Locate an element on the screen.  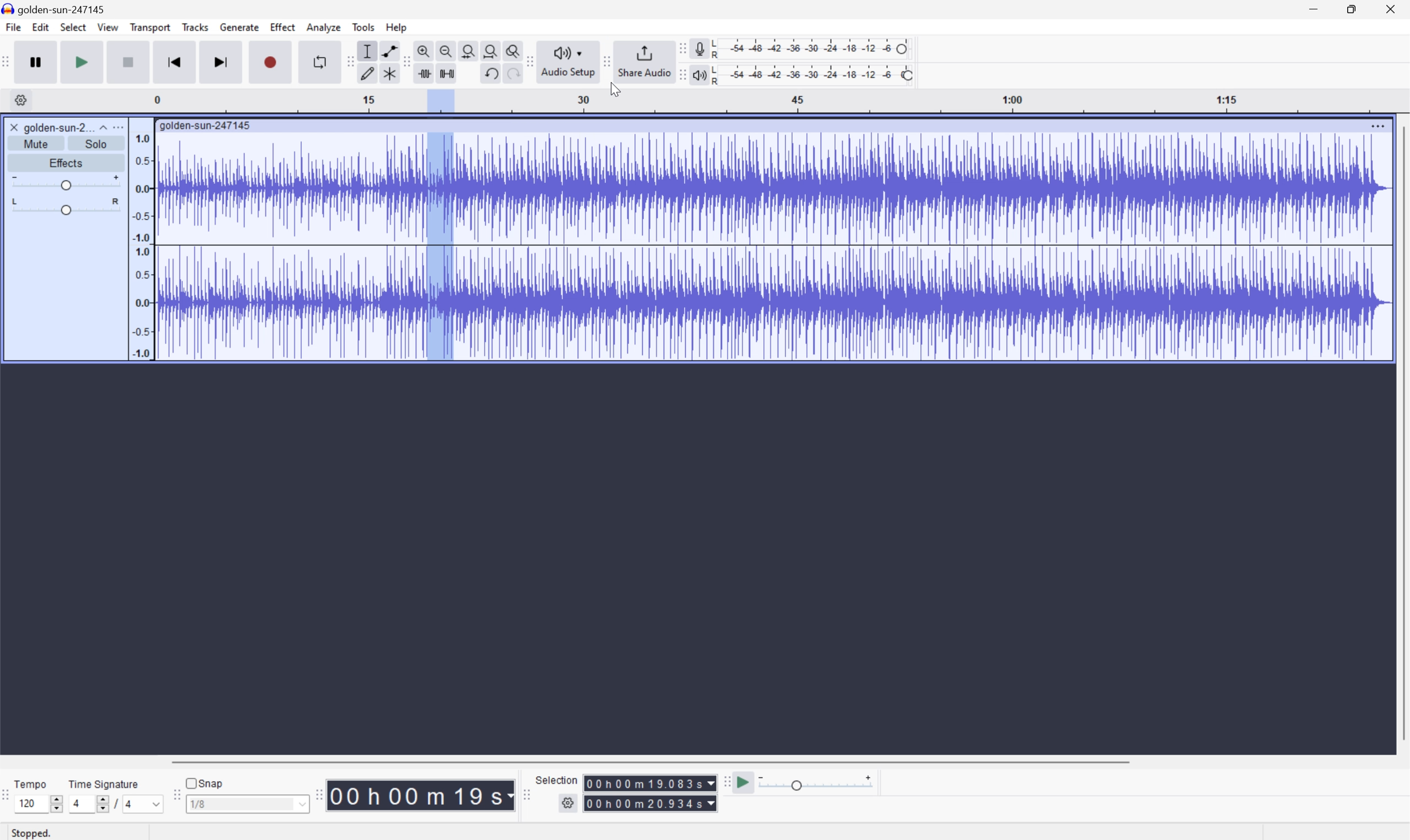
Edit is located at coordinates (41, 28).